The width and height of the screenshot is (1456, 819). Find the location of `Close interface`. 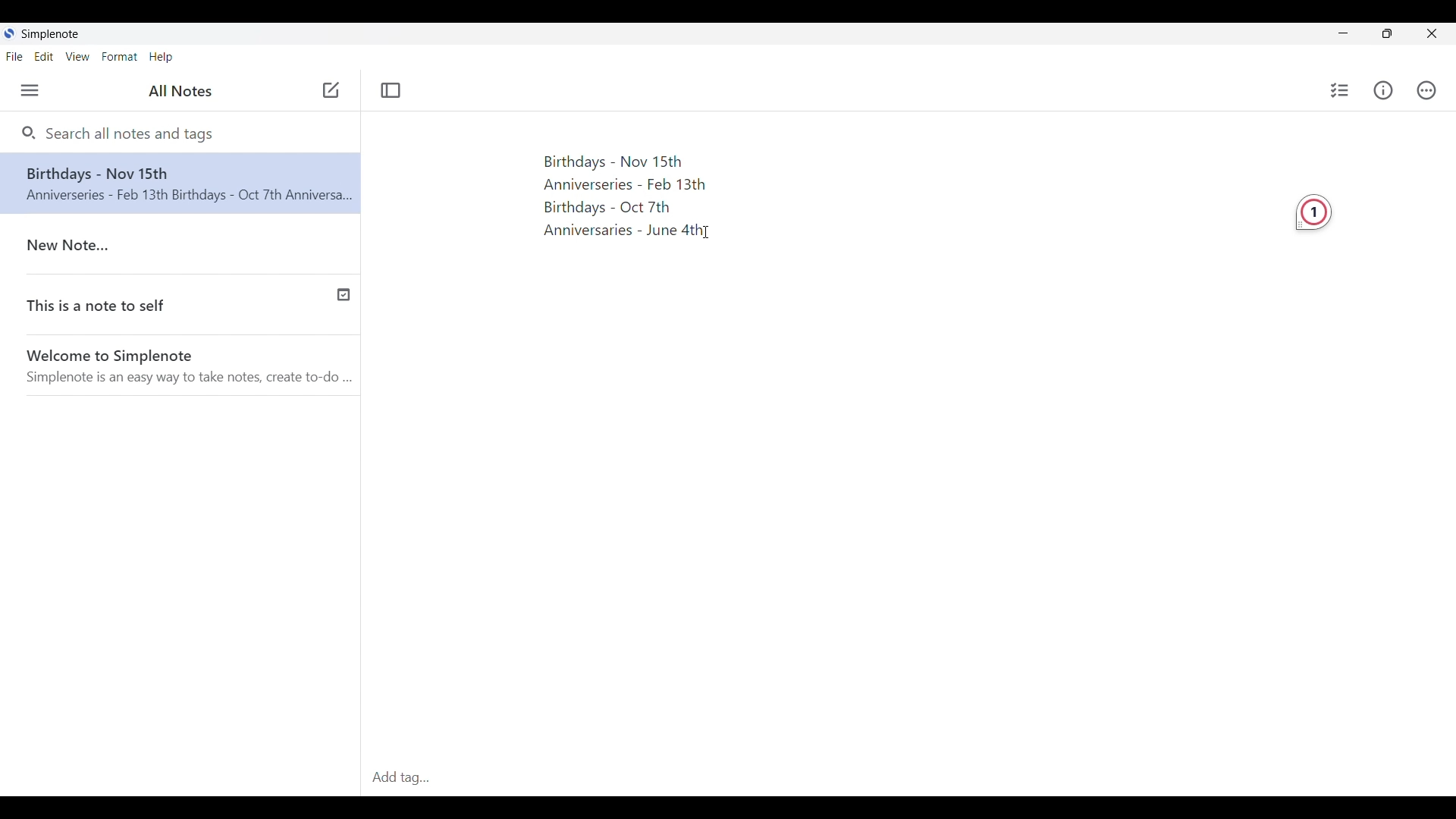

Close interface is located at coordinates (1432, 33).